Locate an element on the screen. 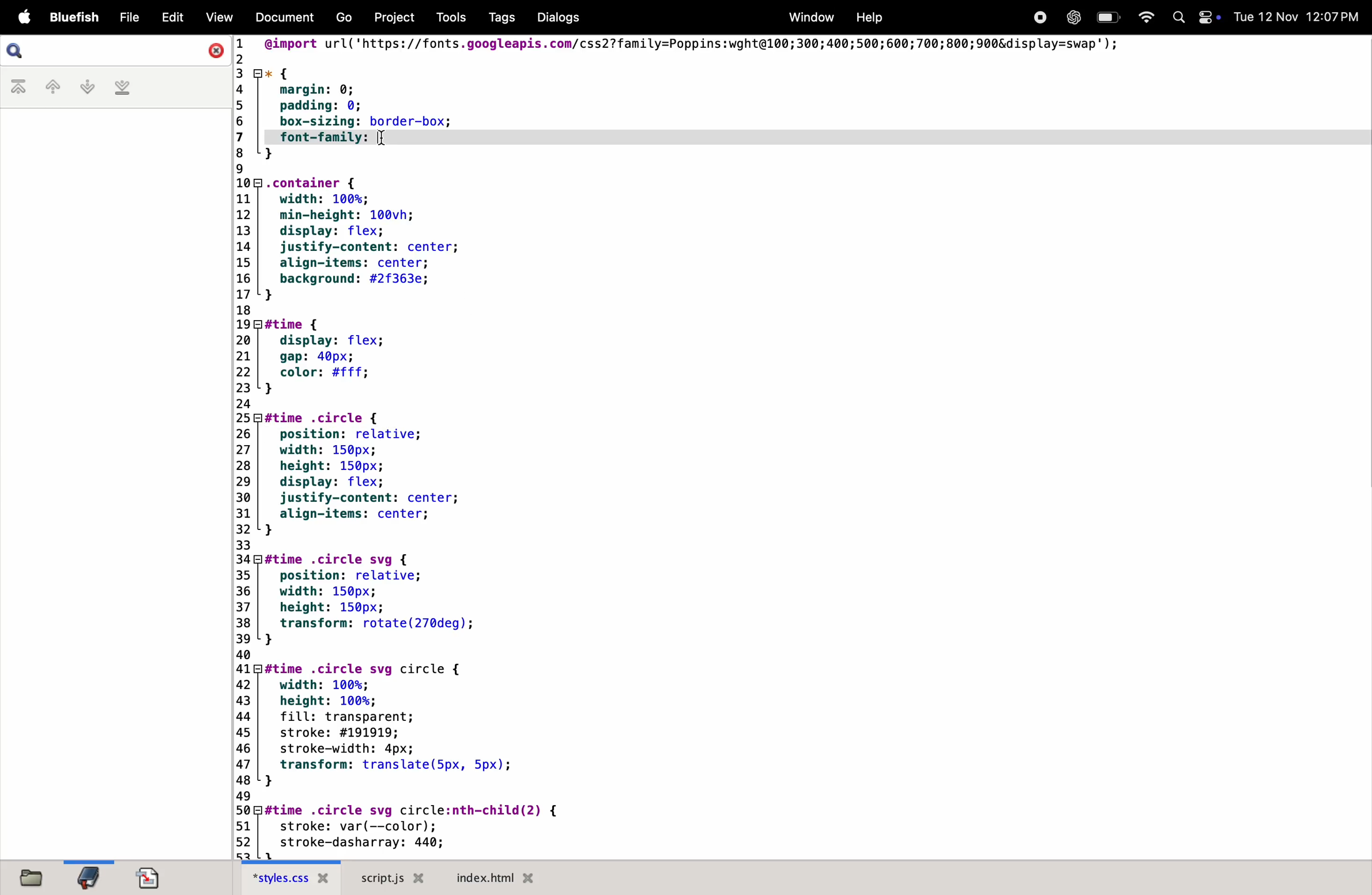  bluefish is located at coordinates (77, 17).